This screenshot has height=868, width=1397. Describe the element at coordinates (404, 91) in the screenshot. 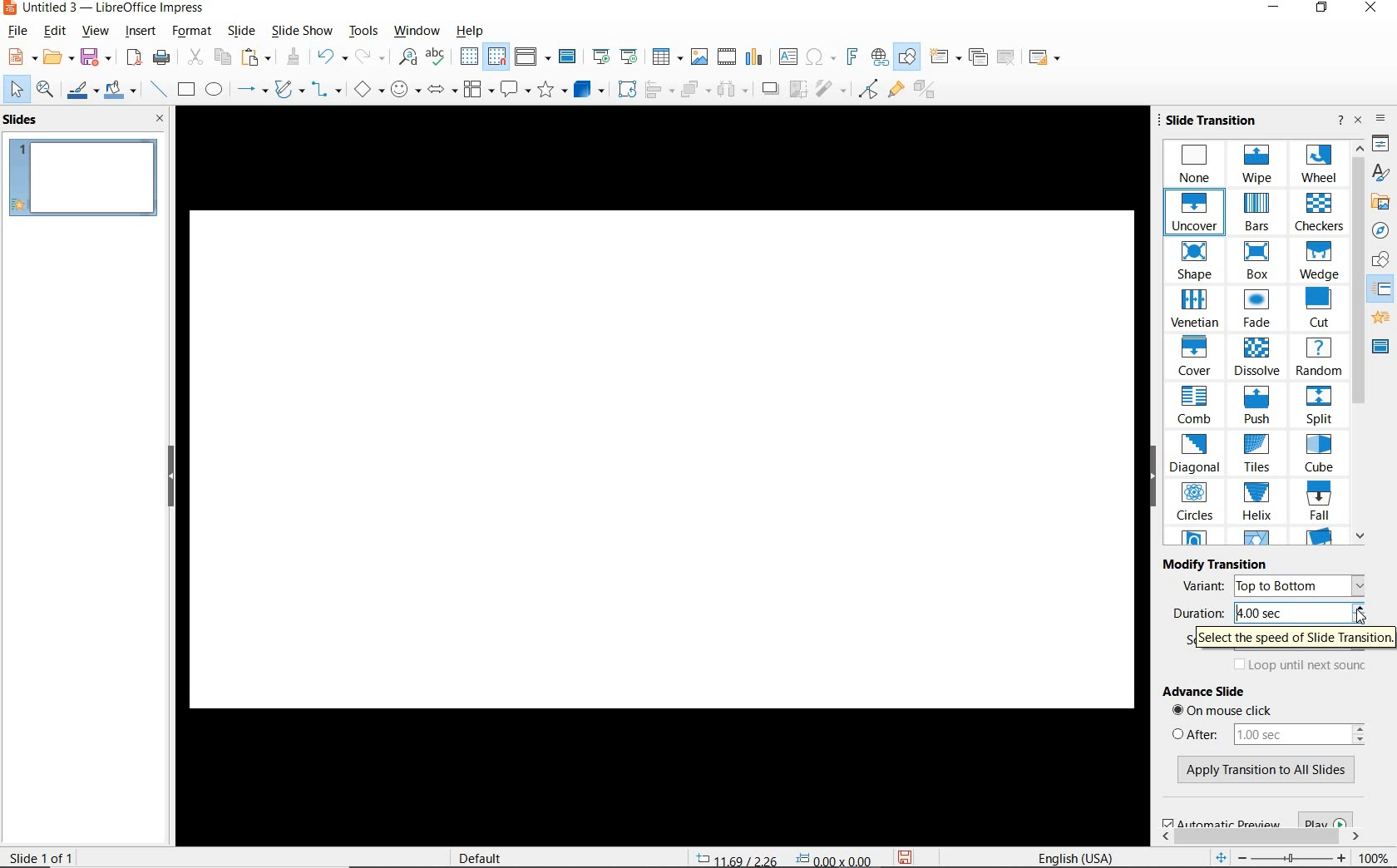

I see `SYMBOL SHAPES` at that location.